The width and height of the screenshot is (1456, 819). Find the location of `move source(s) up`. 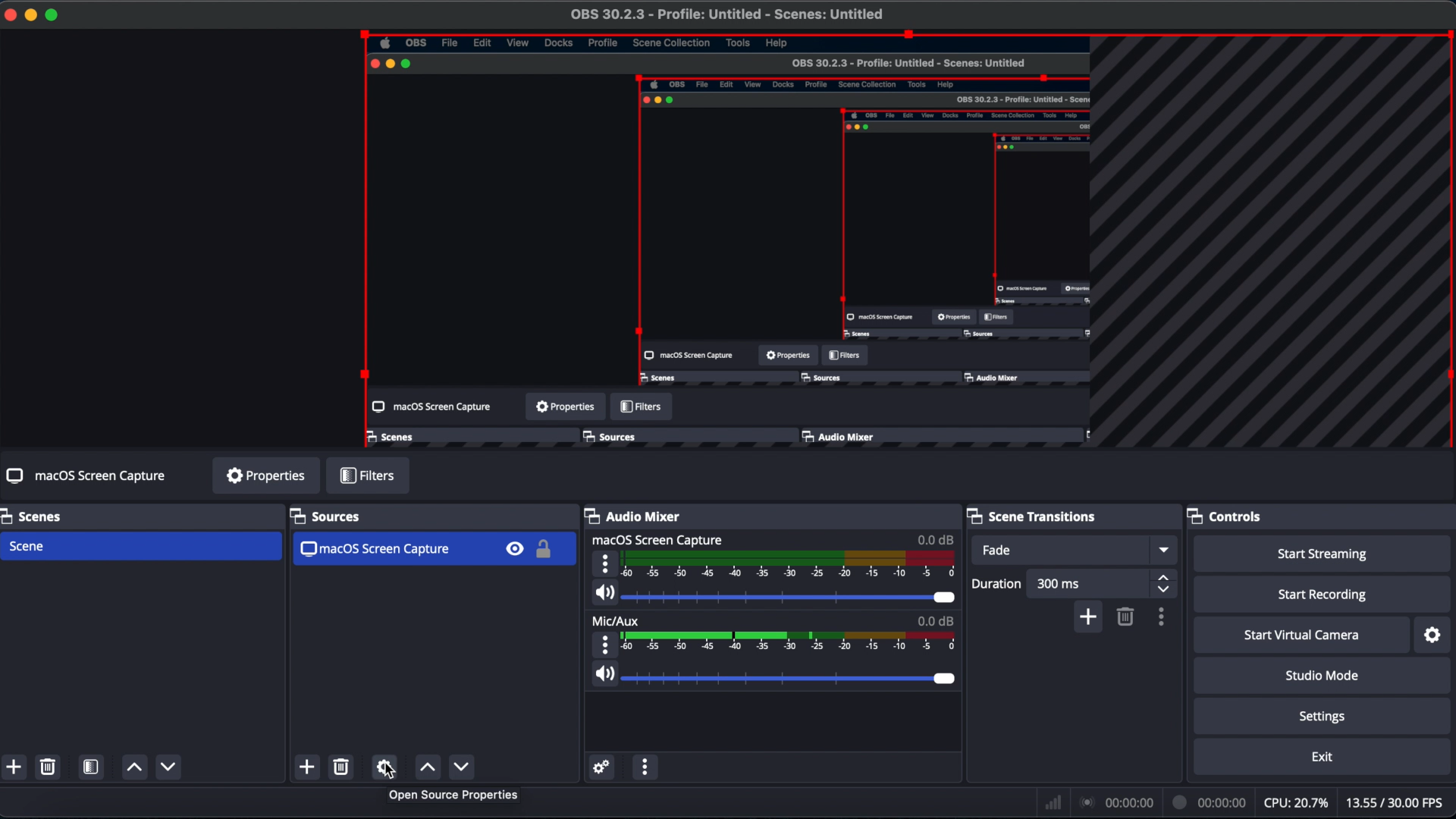

move source(s) up is located at coordinates (462, 767).